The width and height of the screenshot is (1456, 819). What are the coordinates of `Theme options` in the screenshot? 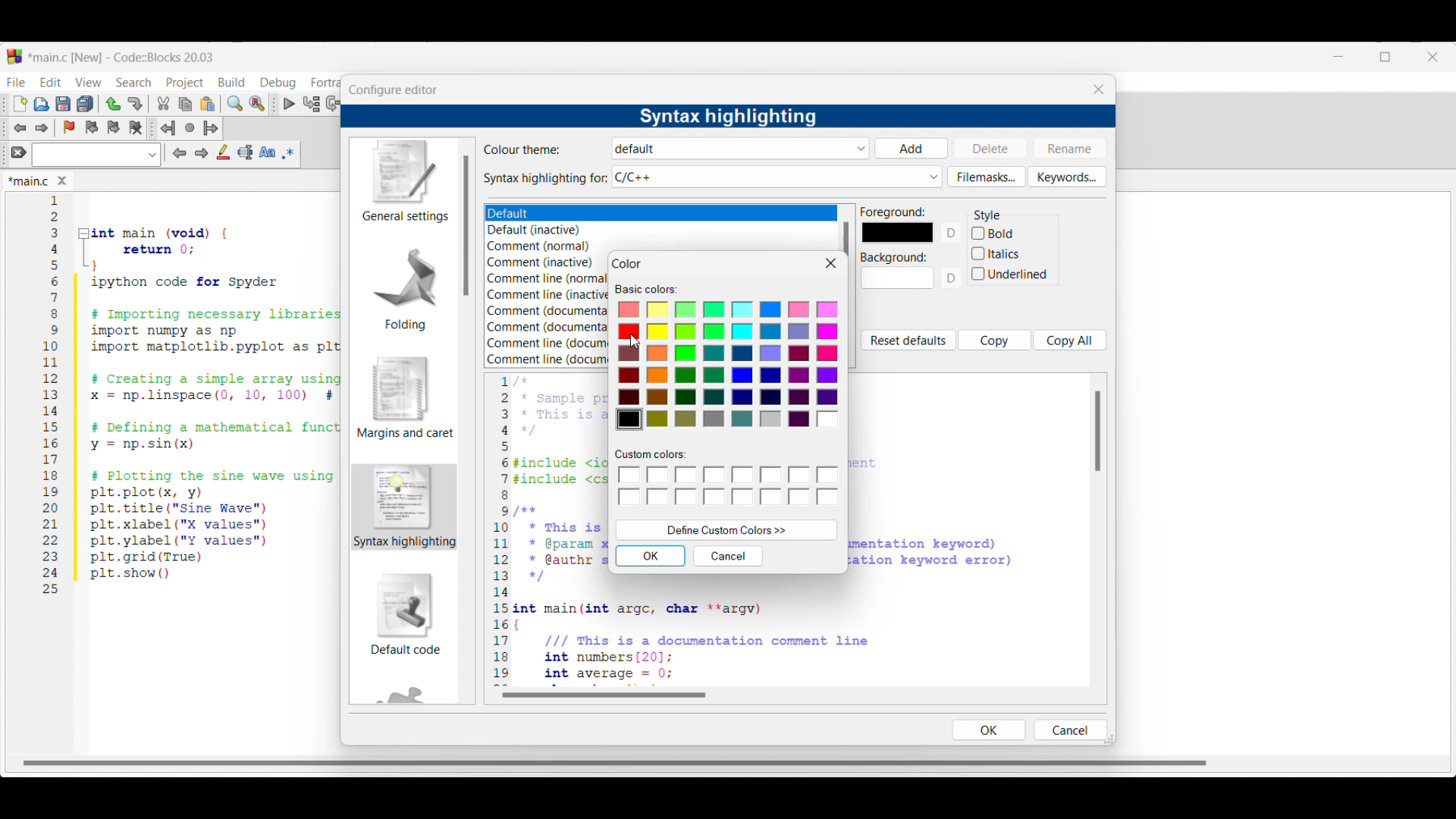 It's located at (742, 149).